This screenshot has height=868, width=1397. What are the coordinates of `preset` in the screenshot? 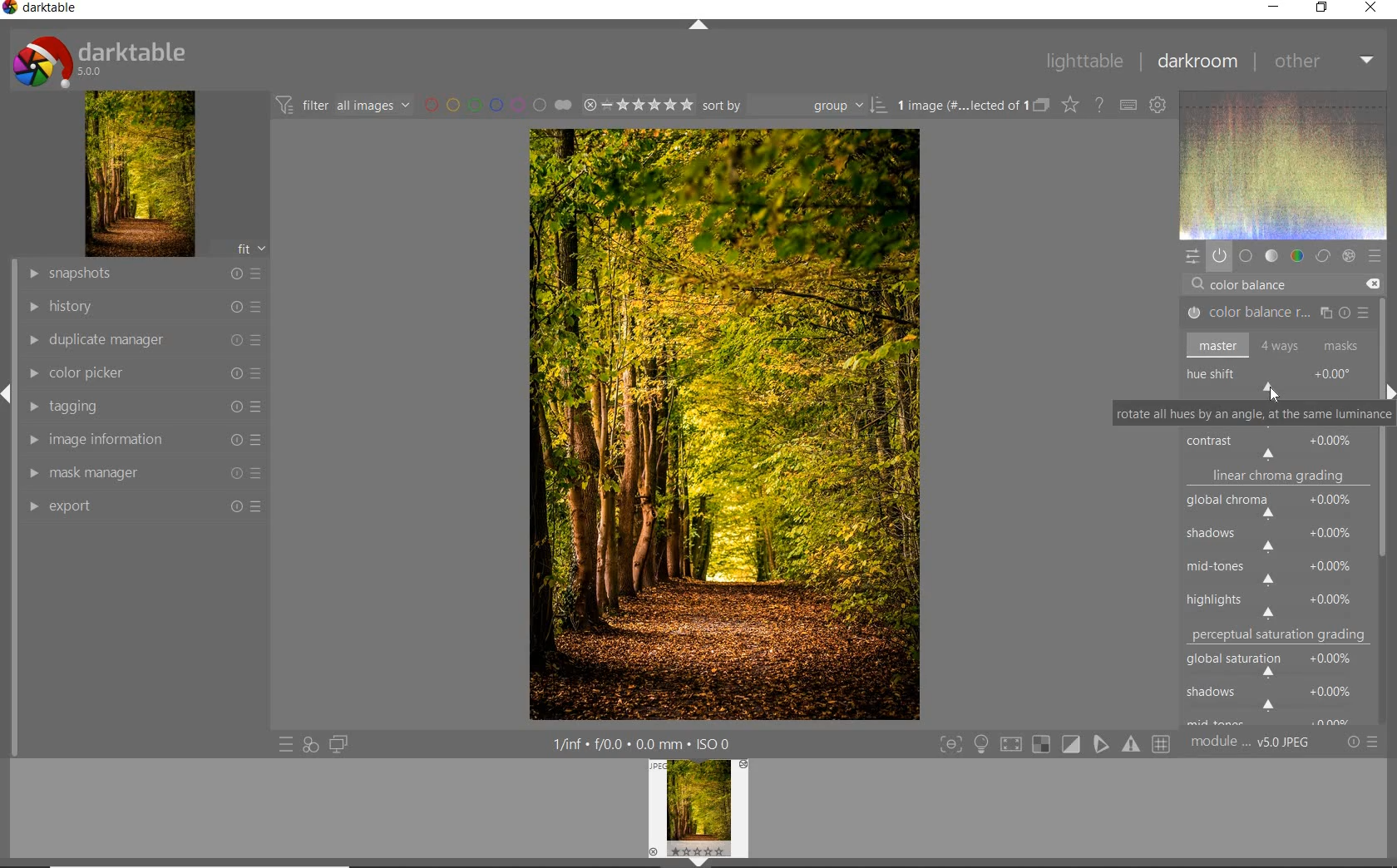 It's located at (1374, 255).